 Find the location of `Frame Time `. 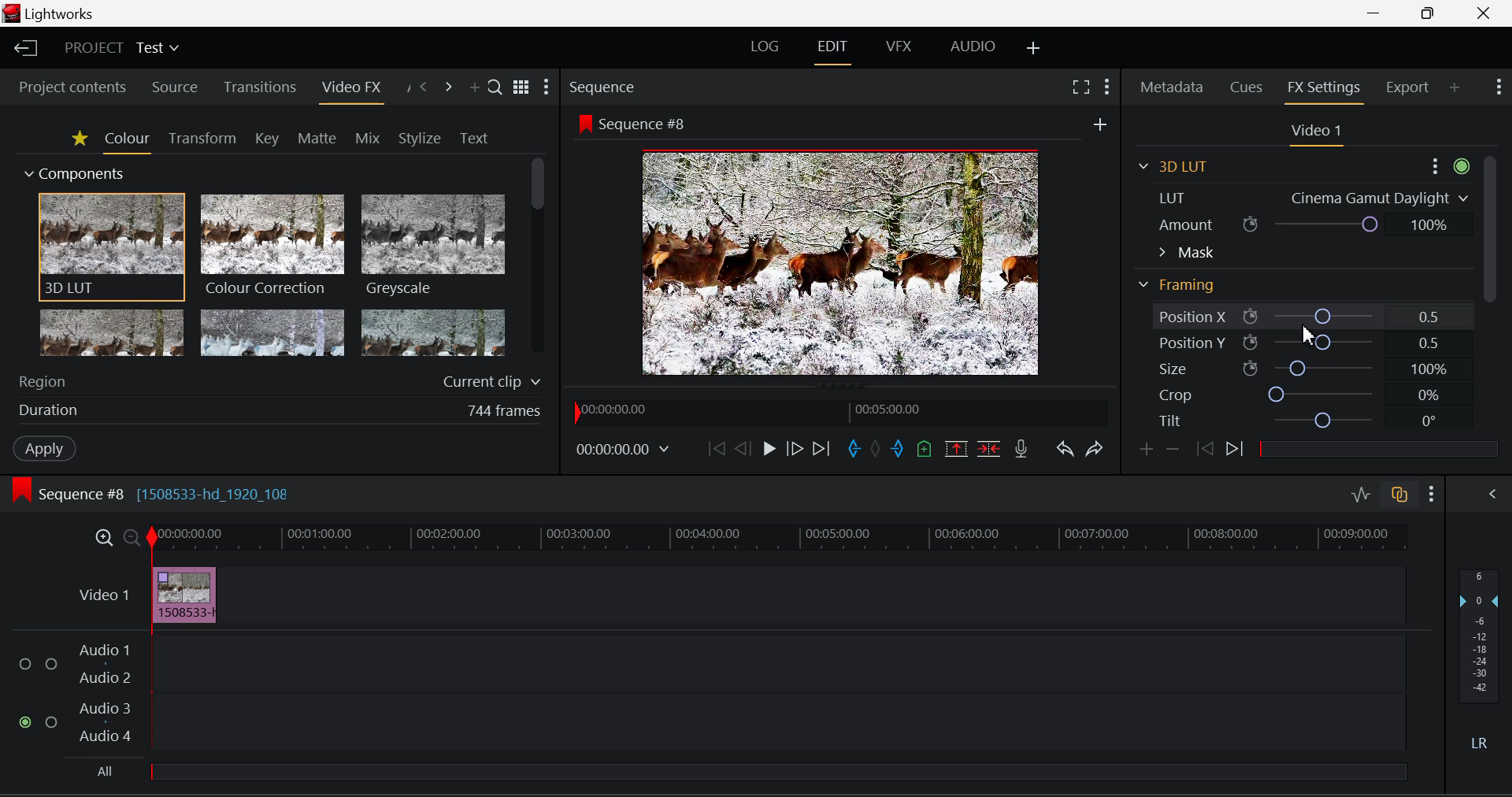

Frame Time  is located at coordinates (622, 453).